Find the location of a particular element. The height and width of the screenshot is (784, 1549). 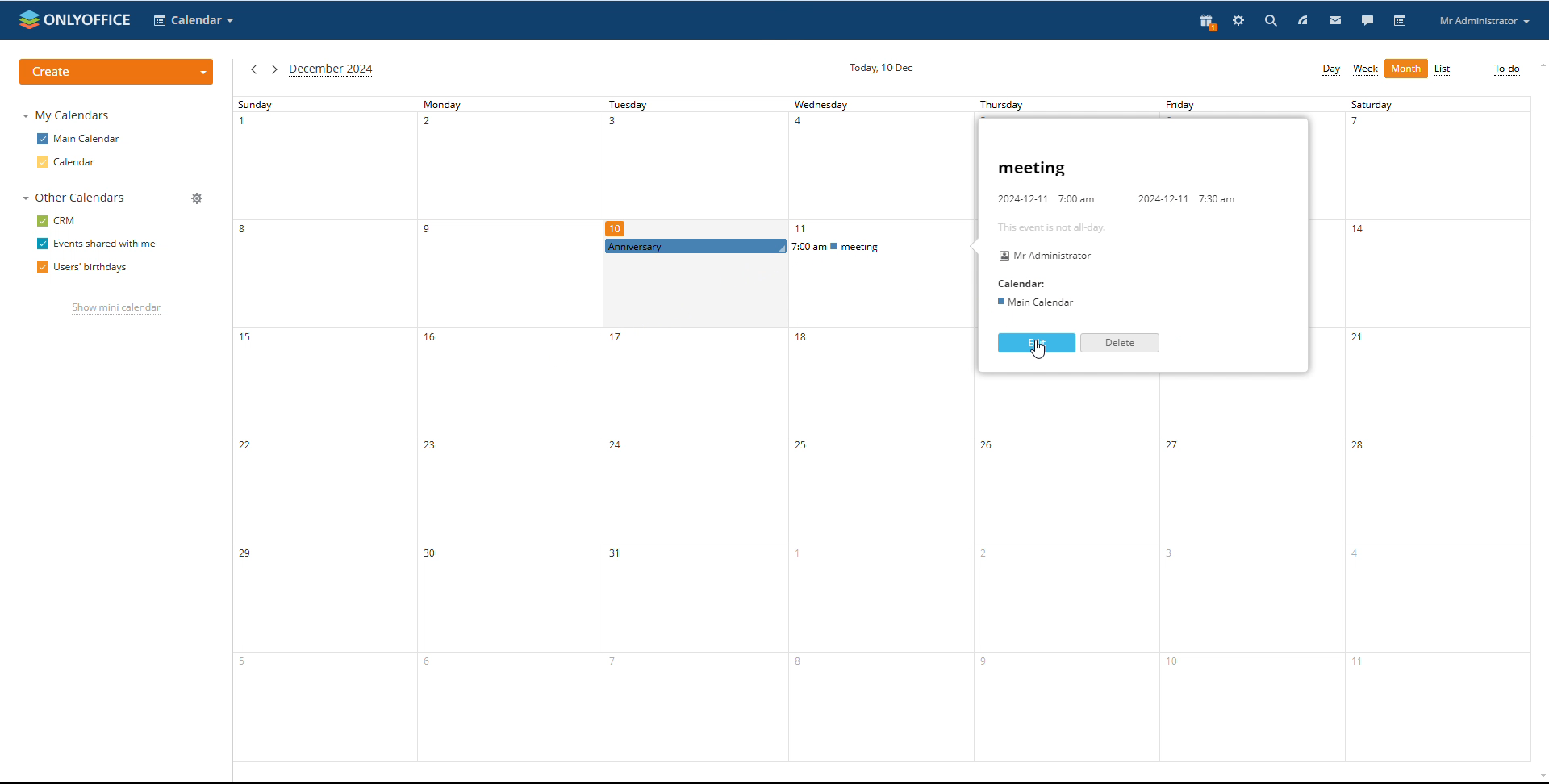

2024-12-11 is located at coordinates (1160, 201).